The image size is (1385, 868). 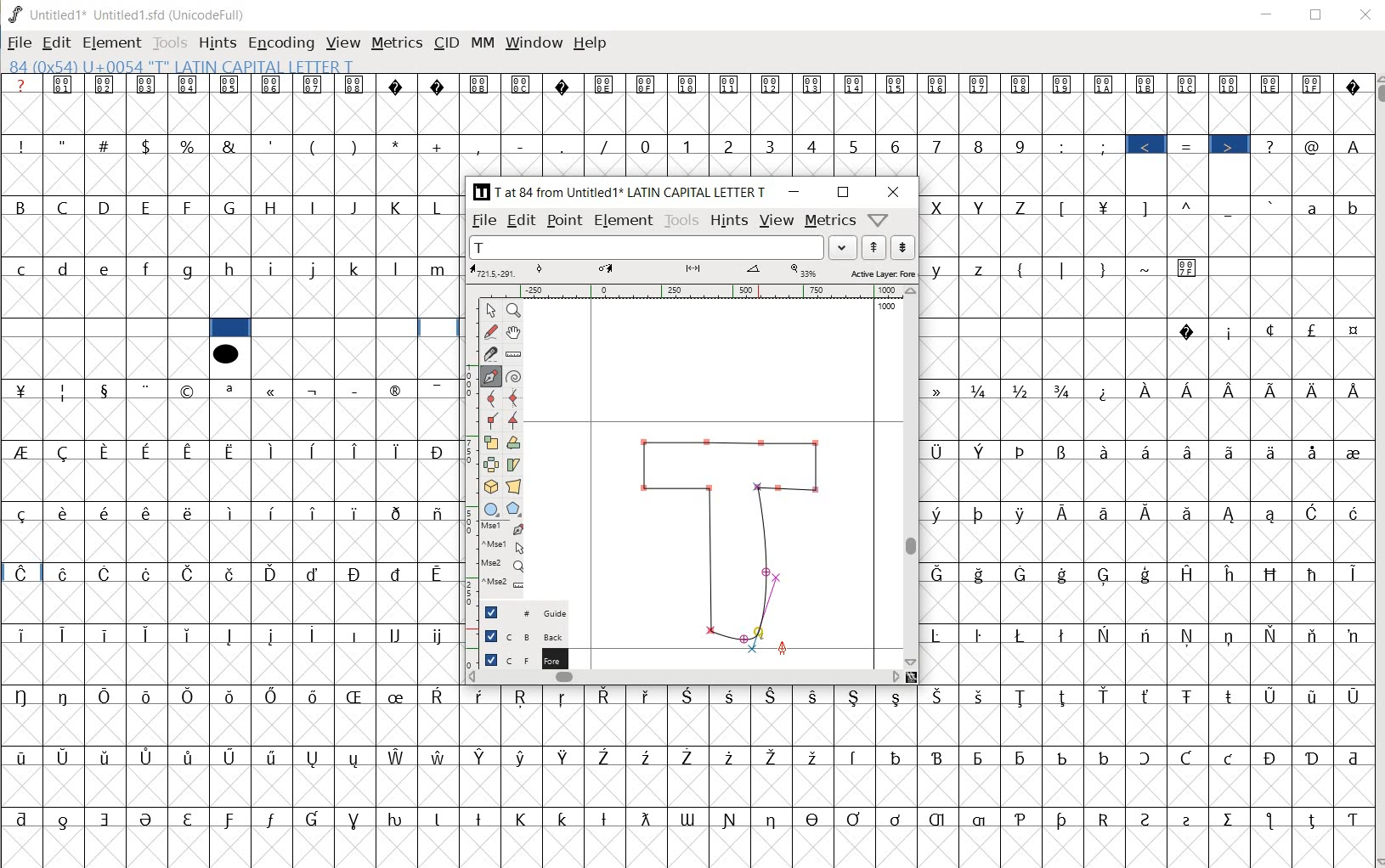 What do you see at coordinates (491, 508) in the screenshot?
I see `rectangle/ellipse` at bounding box center [491, 508].